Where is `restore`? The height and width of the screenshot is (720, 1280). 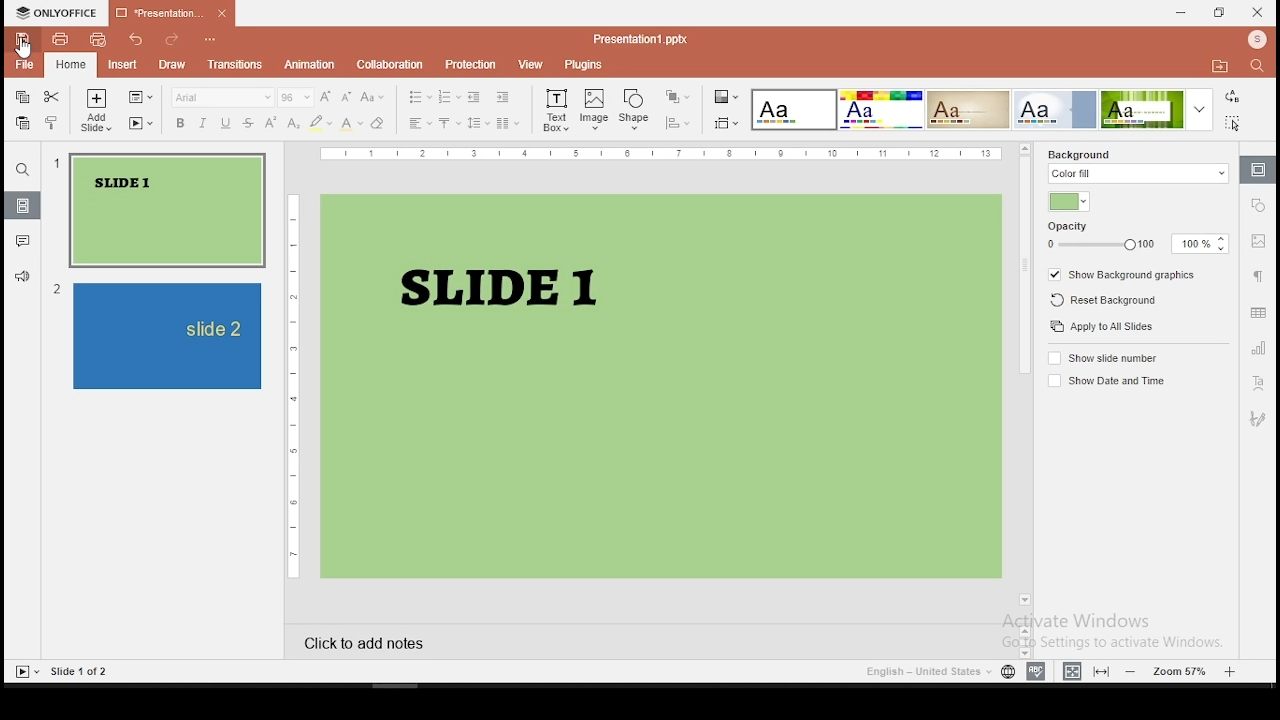
restore is located at coordinates (1218, 13).